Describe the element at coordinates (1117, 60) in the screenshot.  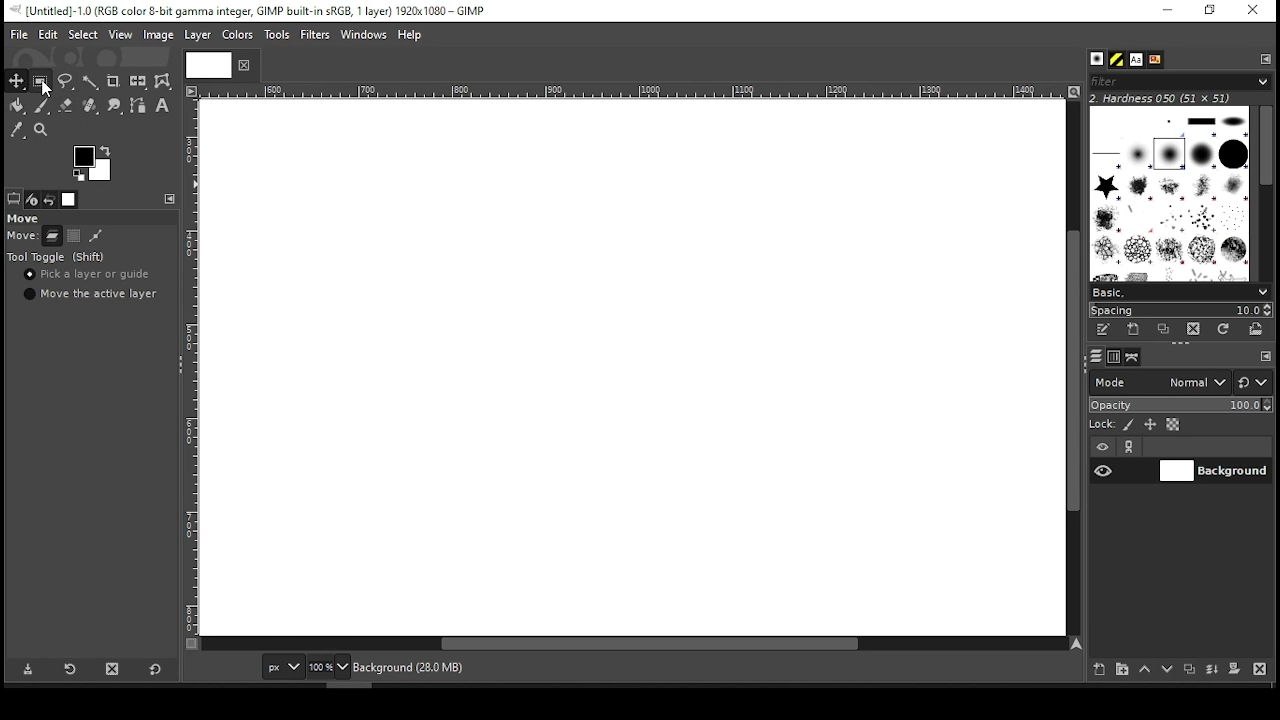
I see `pattern` at that location.